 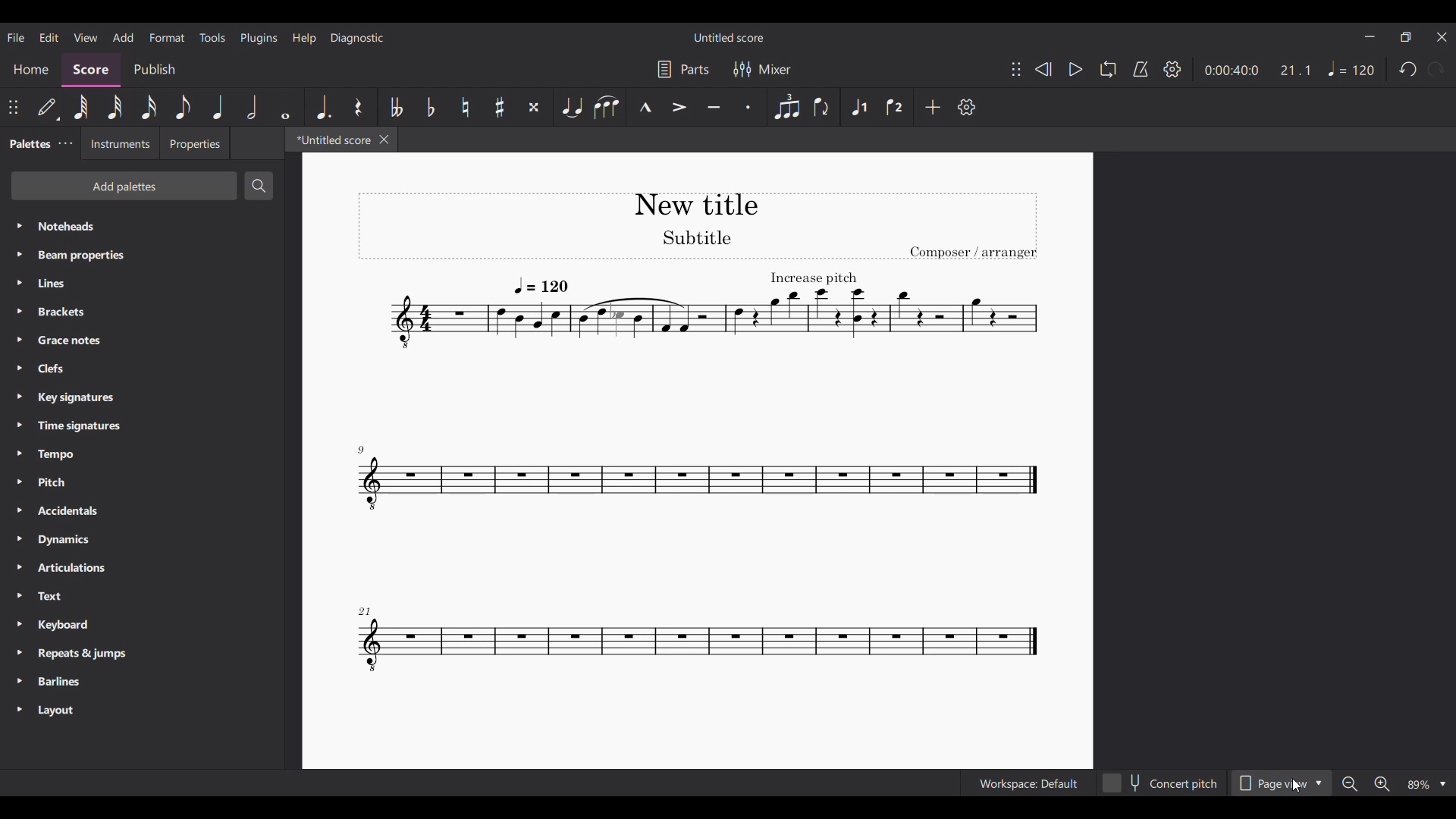 I want to click on Beam properties, so click(x=143, y=256).